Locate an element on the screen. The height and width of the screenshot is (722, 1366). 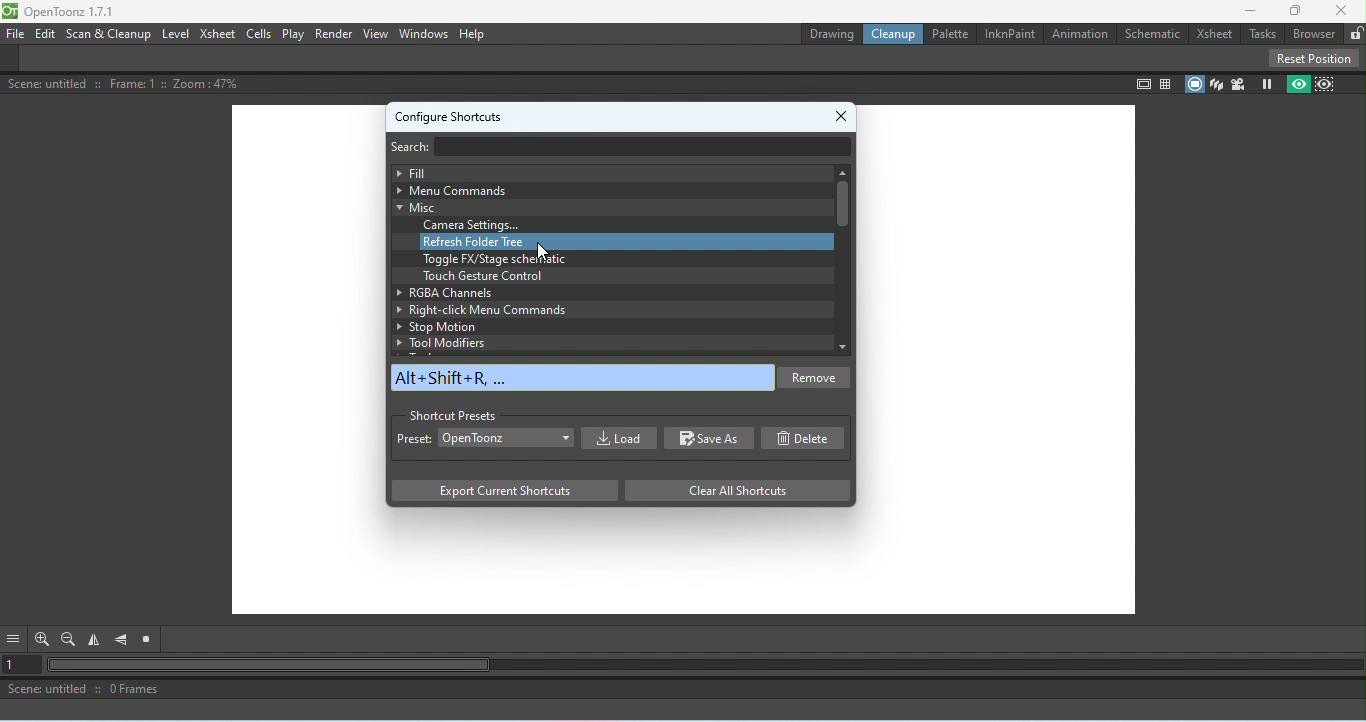
Maximize is located at coordinates (1297, 10).